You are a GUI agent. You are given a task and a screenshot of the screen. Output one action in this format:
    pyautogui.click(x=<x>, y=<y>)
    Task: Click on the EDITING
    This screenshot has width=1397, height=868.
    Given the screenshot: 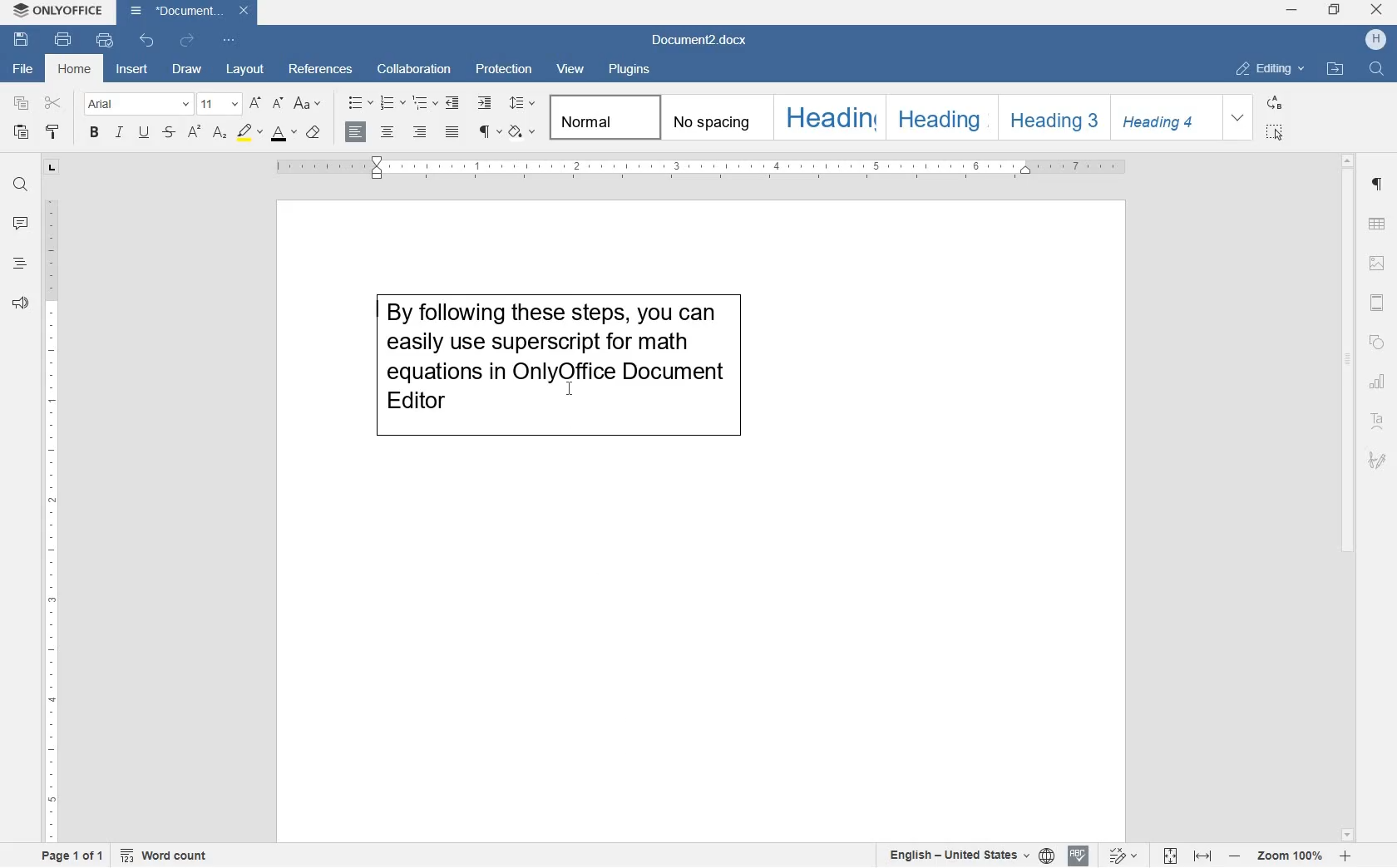 What is the action you would take?
    pyautogui.click(x=1270, y=68)
    